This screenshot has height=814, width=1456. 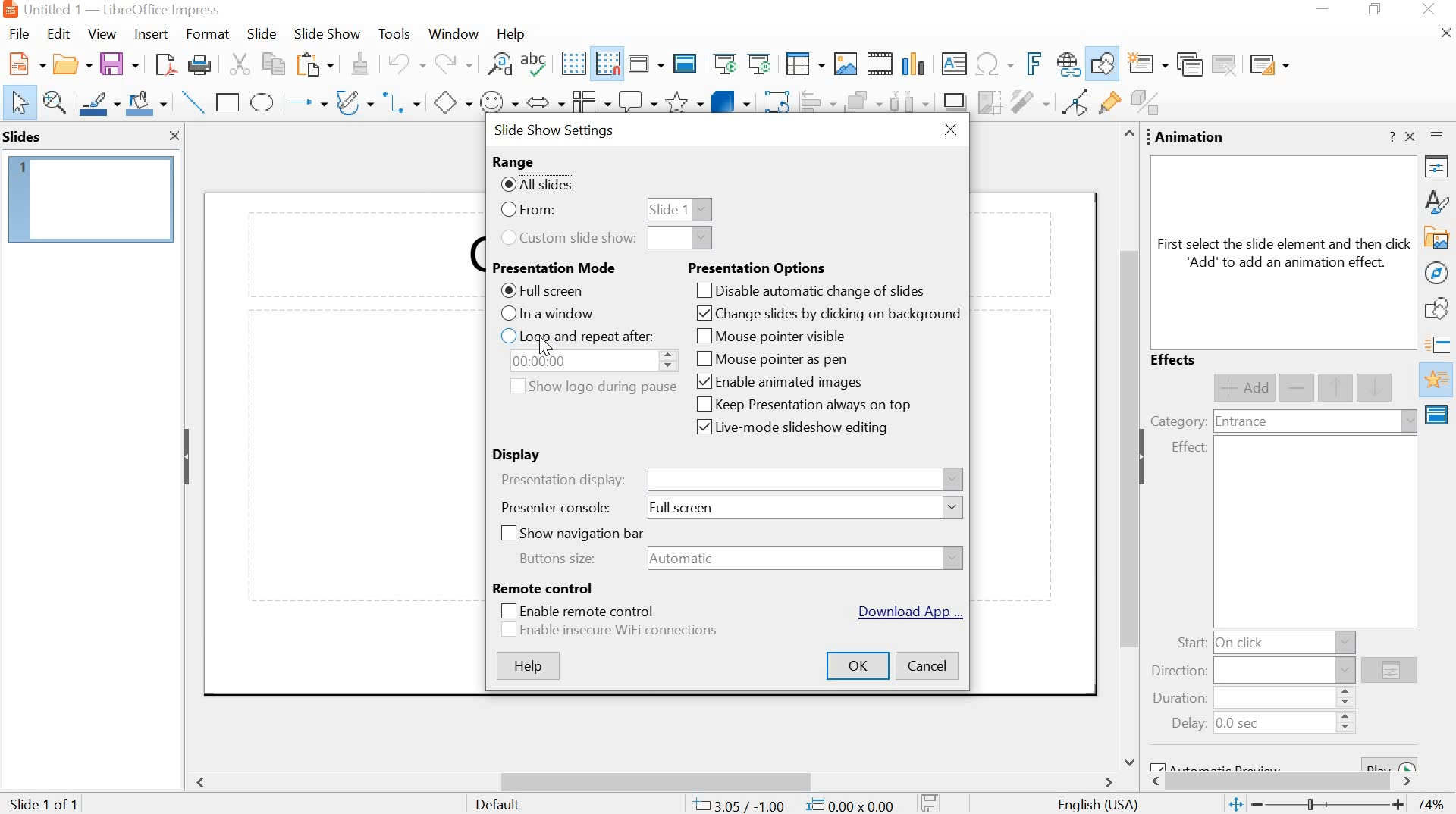 What do you see at coordinates (1225, 64) in the screenshot?
I see `delete slide` at bounding box center [1225, 64].